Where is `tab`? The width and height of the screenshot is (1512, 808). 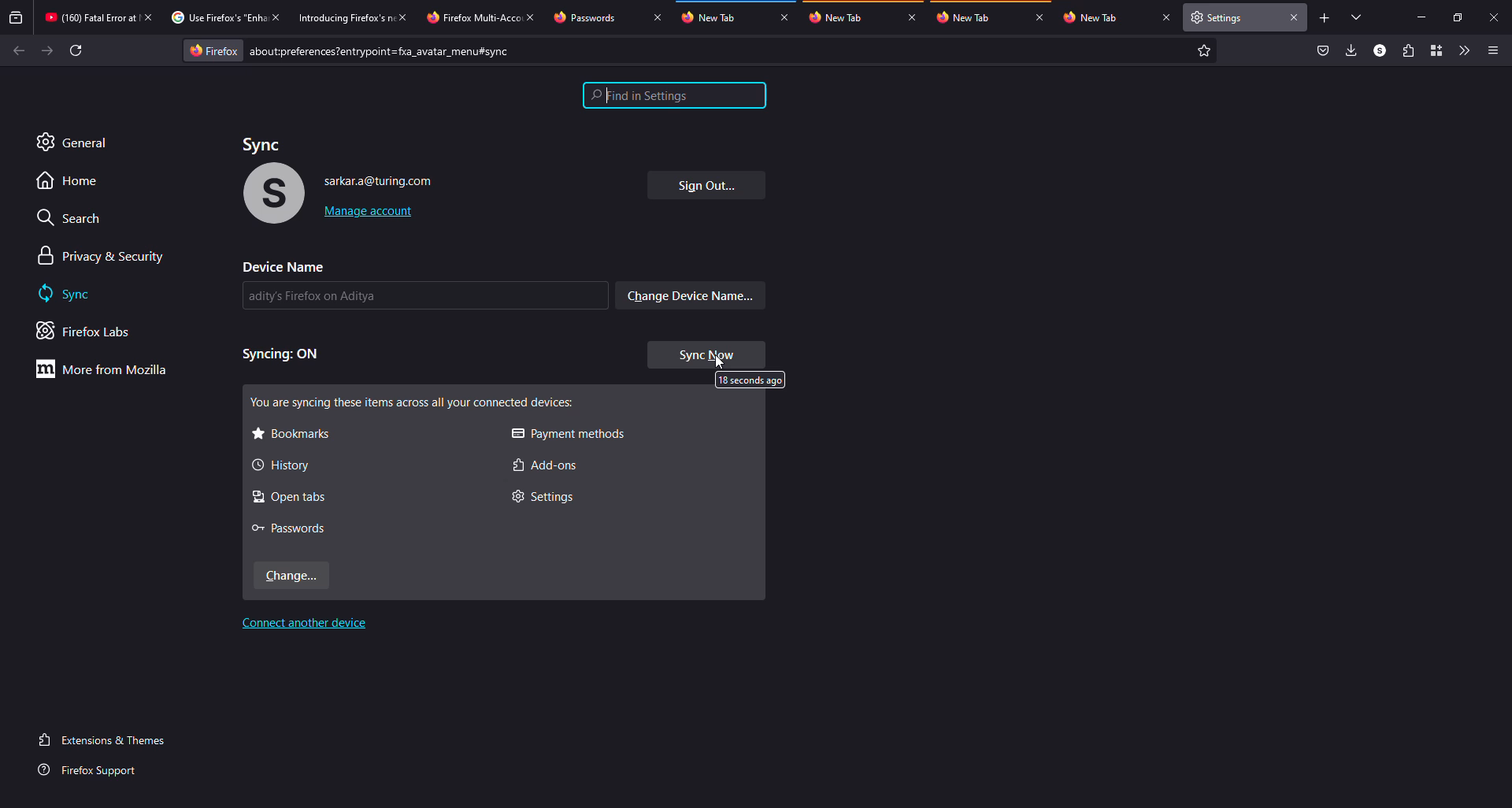 tab is located at coordinates (472, 17).